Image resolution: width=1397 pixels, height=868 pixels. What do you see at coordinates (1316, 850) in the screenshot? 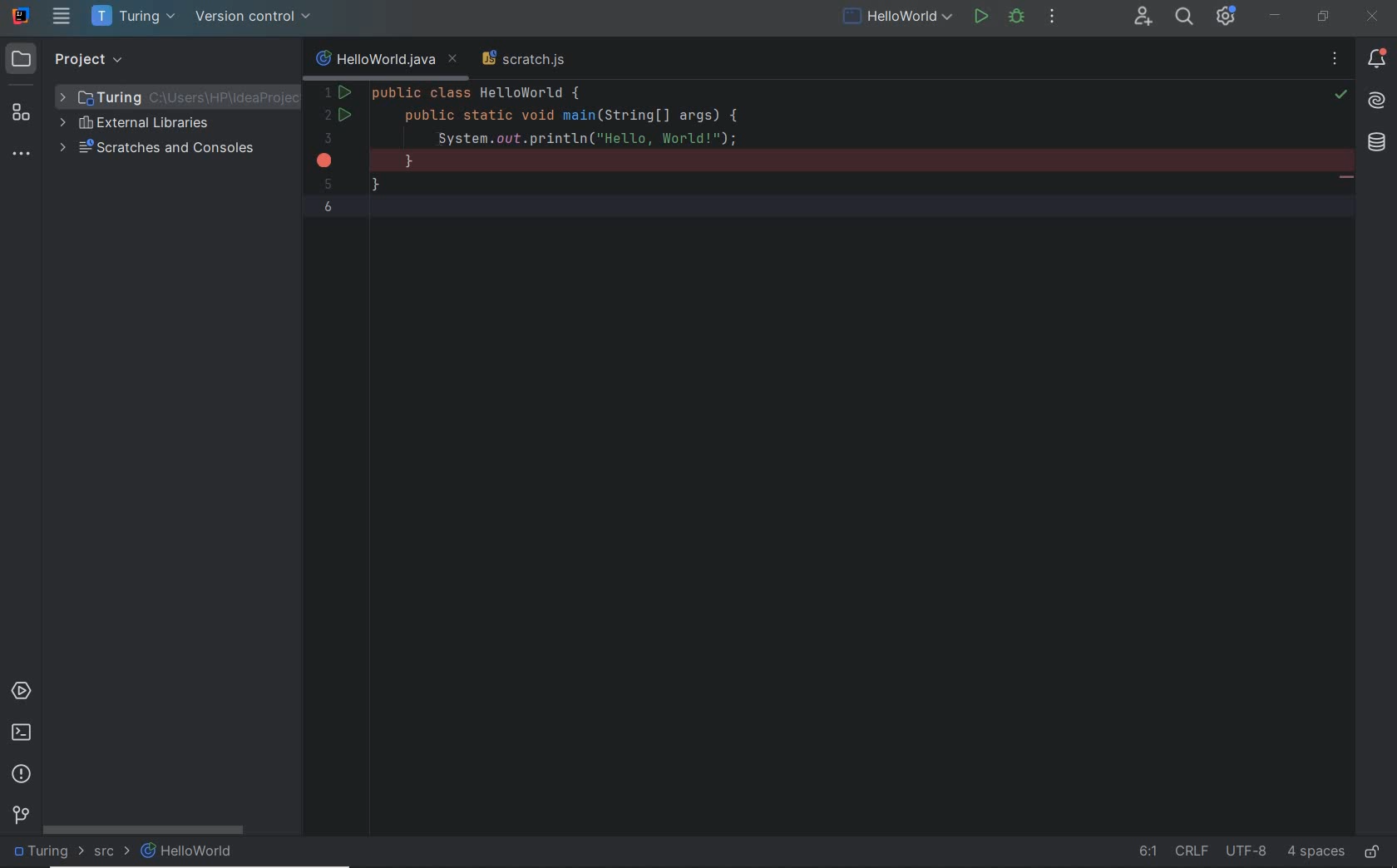
I see `indent` at bounding box center [1316, 850].